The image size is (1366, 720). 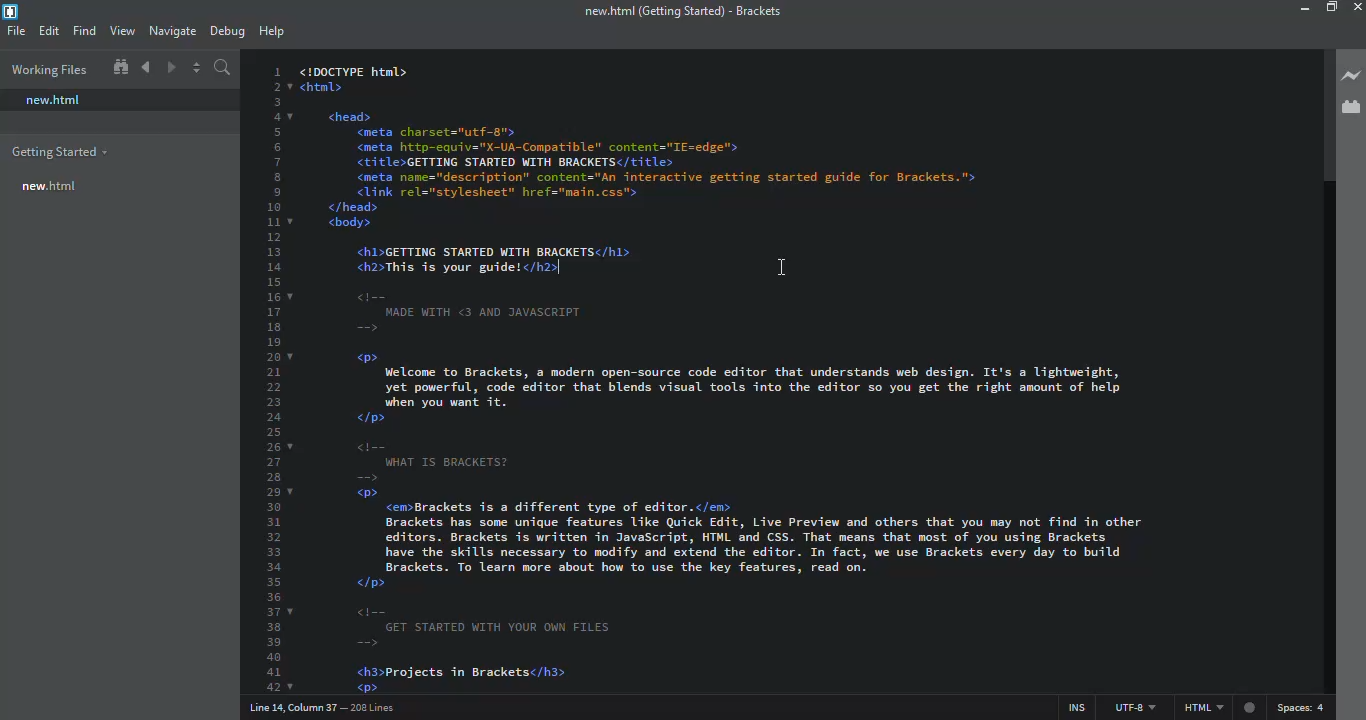 What do you see at coordinates (1323, 123) in the screenshot?
I see `scroll bar` at bounding box center [1323, 123].